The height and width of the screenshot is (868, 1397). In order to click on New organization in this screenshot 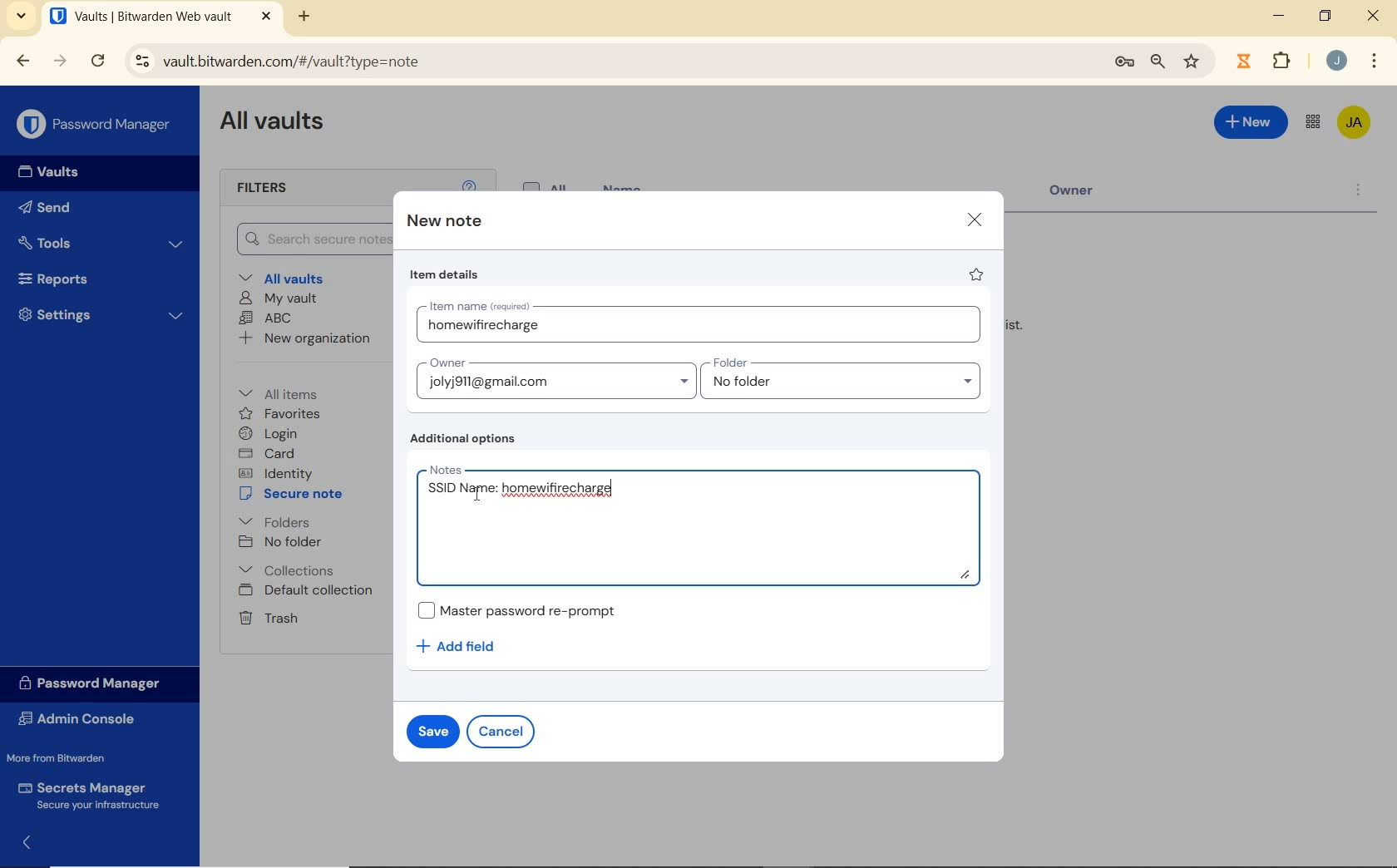, I will do `click(306, 338)`.